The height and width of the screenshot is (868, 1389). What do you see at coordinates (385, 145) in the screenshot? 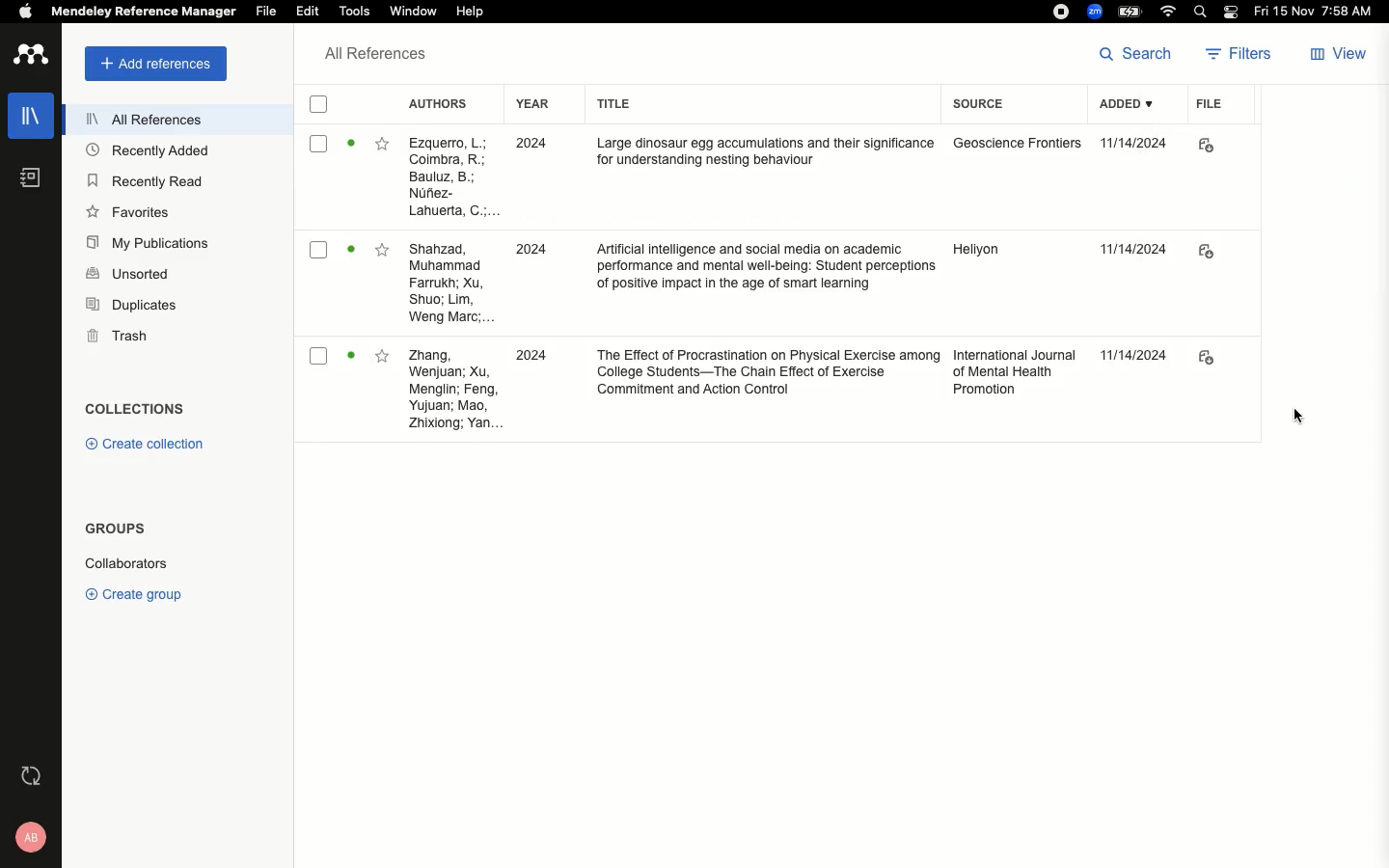
I see `Favorites` at bounding box center [385, 145].